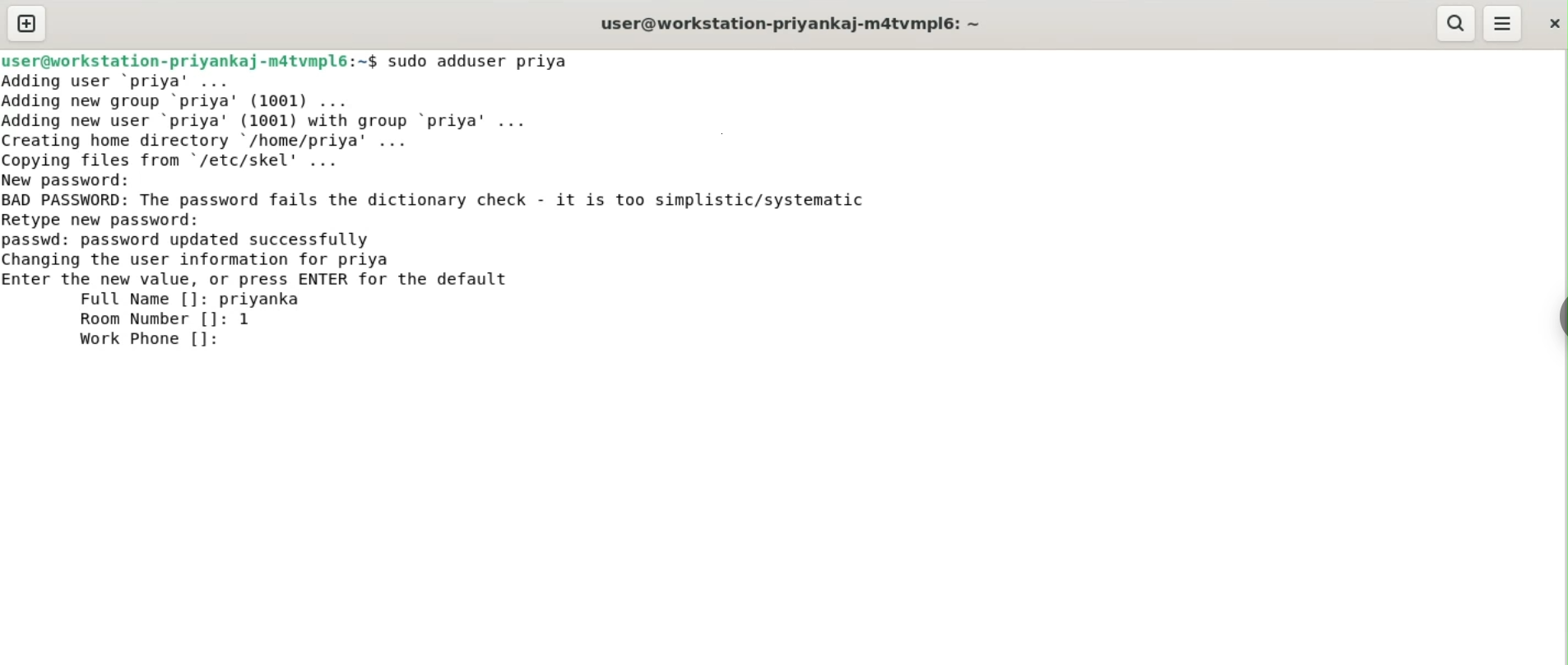  What do you see at coordinates (791, 26) in the screenshot?
I see `user@workstation-priyankaj-m4tvmpl6: ~` at bounding box center [791, 26].